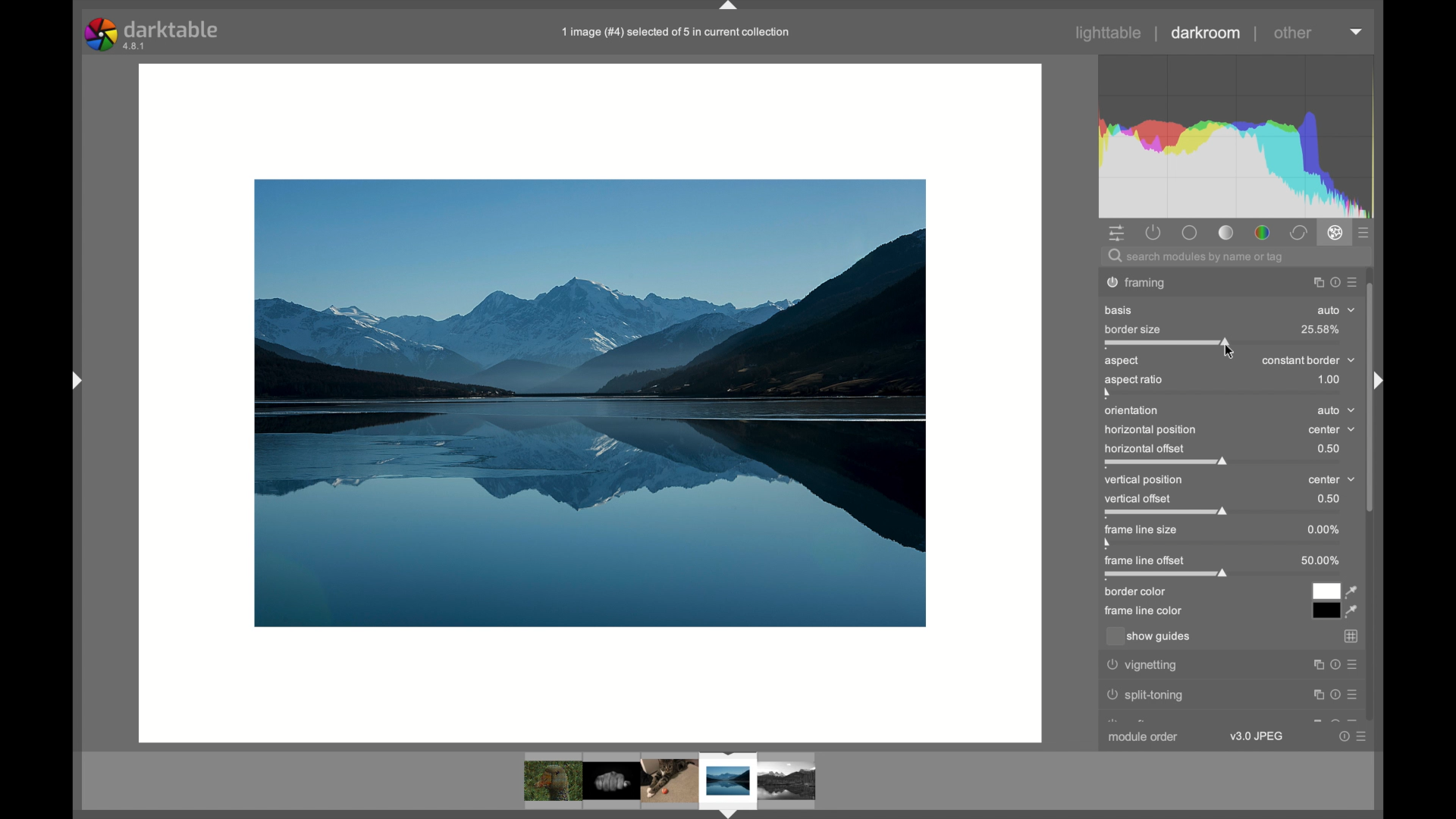 This screenshot has height=819, width=1456. Describe the element at coordinates (1150, 637) in the screenshot. I see `show guides` at that location.